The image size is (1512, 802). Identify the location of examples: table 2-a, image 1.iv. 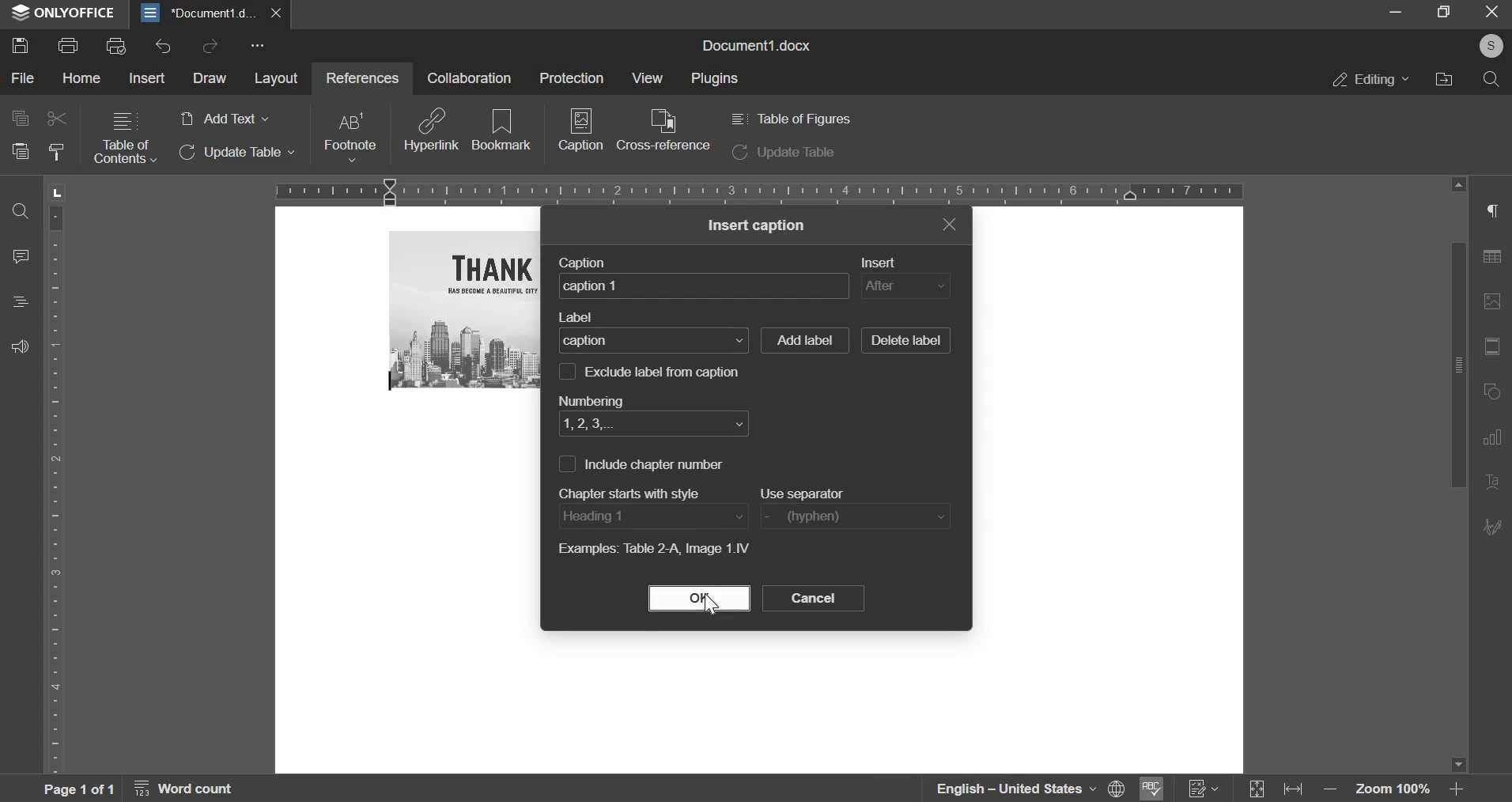
(652, 550).